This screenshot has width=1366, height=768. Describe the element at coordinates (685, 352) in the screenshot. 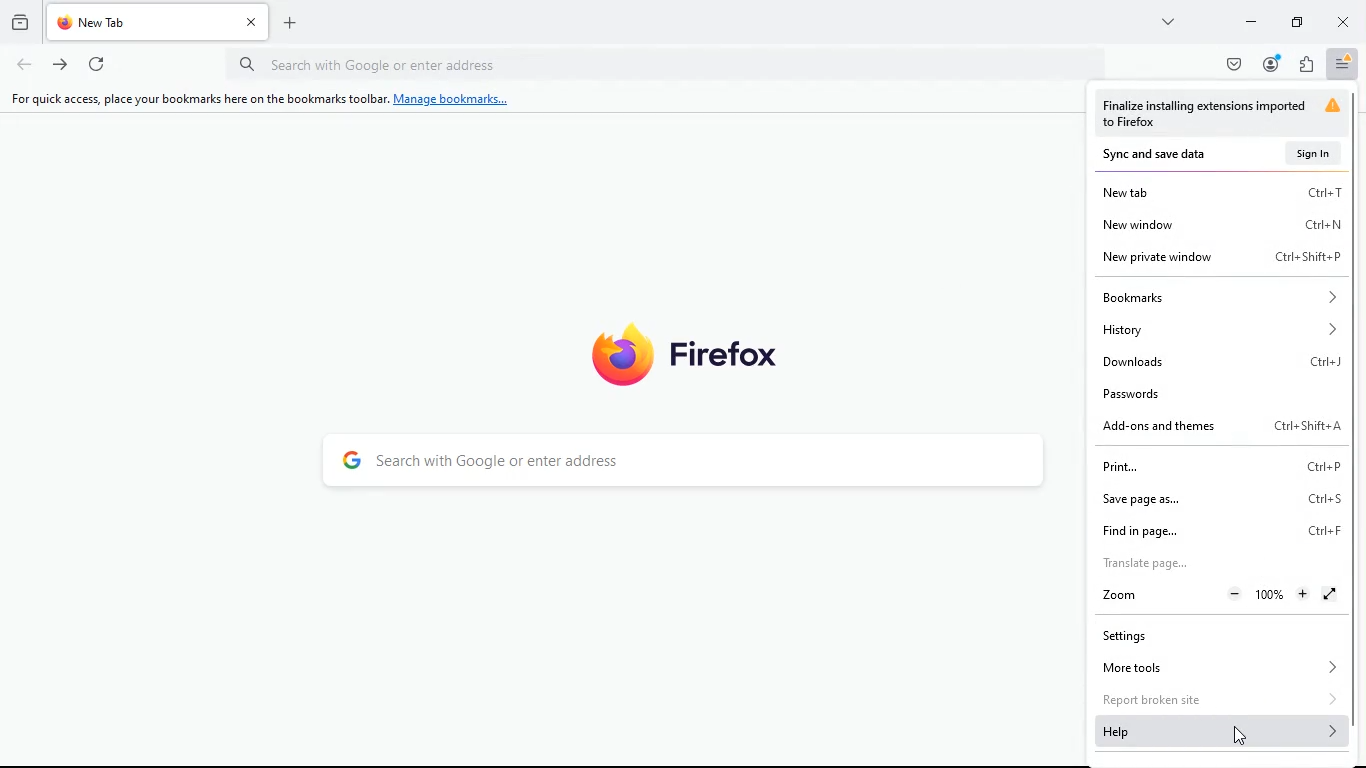

I see `firefox` at that location.